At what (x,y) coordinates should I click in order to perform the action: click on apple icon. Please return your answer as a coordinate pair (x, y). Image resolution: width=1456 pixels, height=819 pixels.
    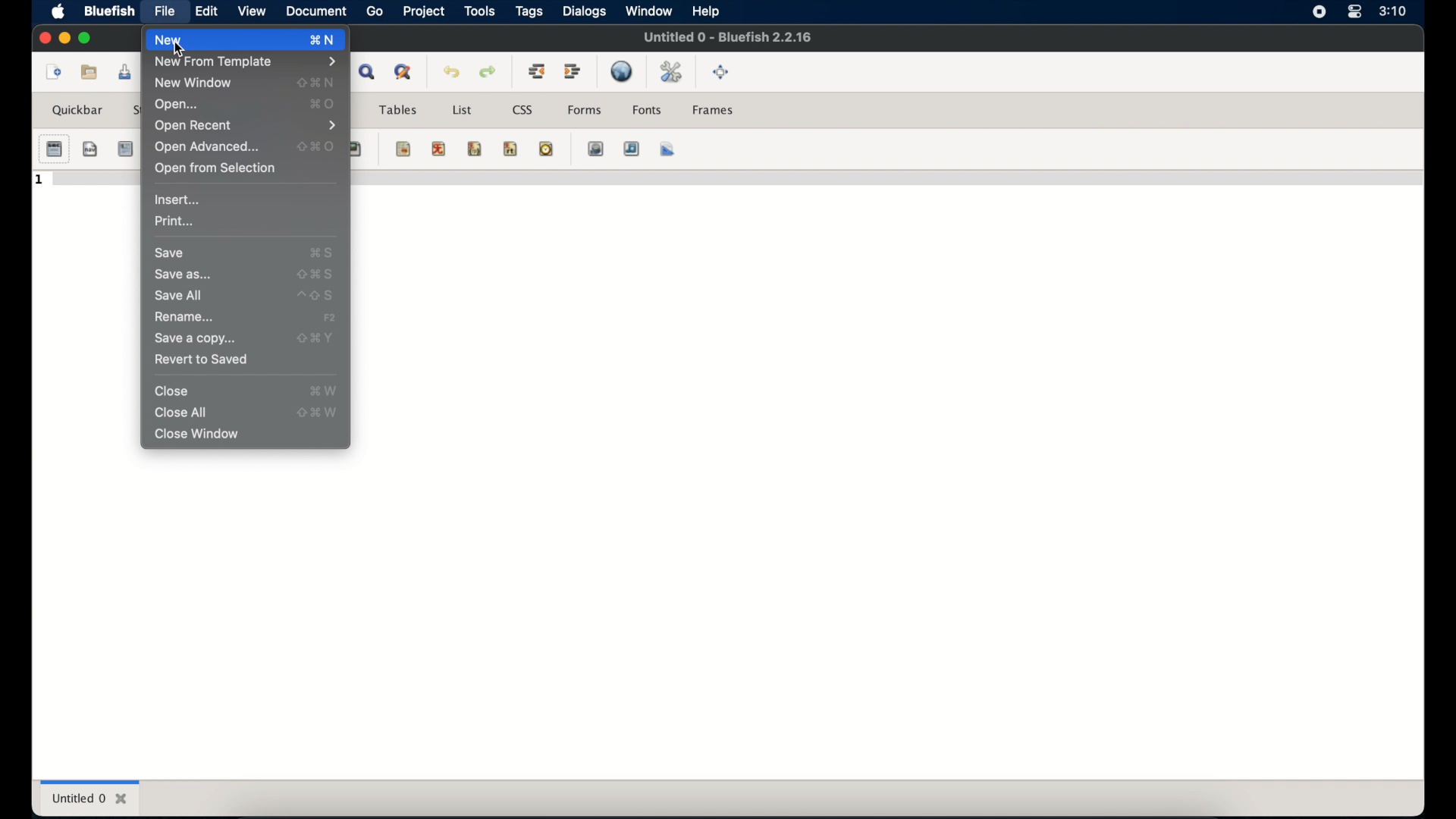
    Looking at the image, I should click on (58, 13).